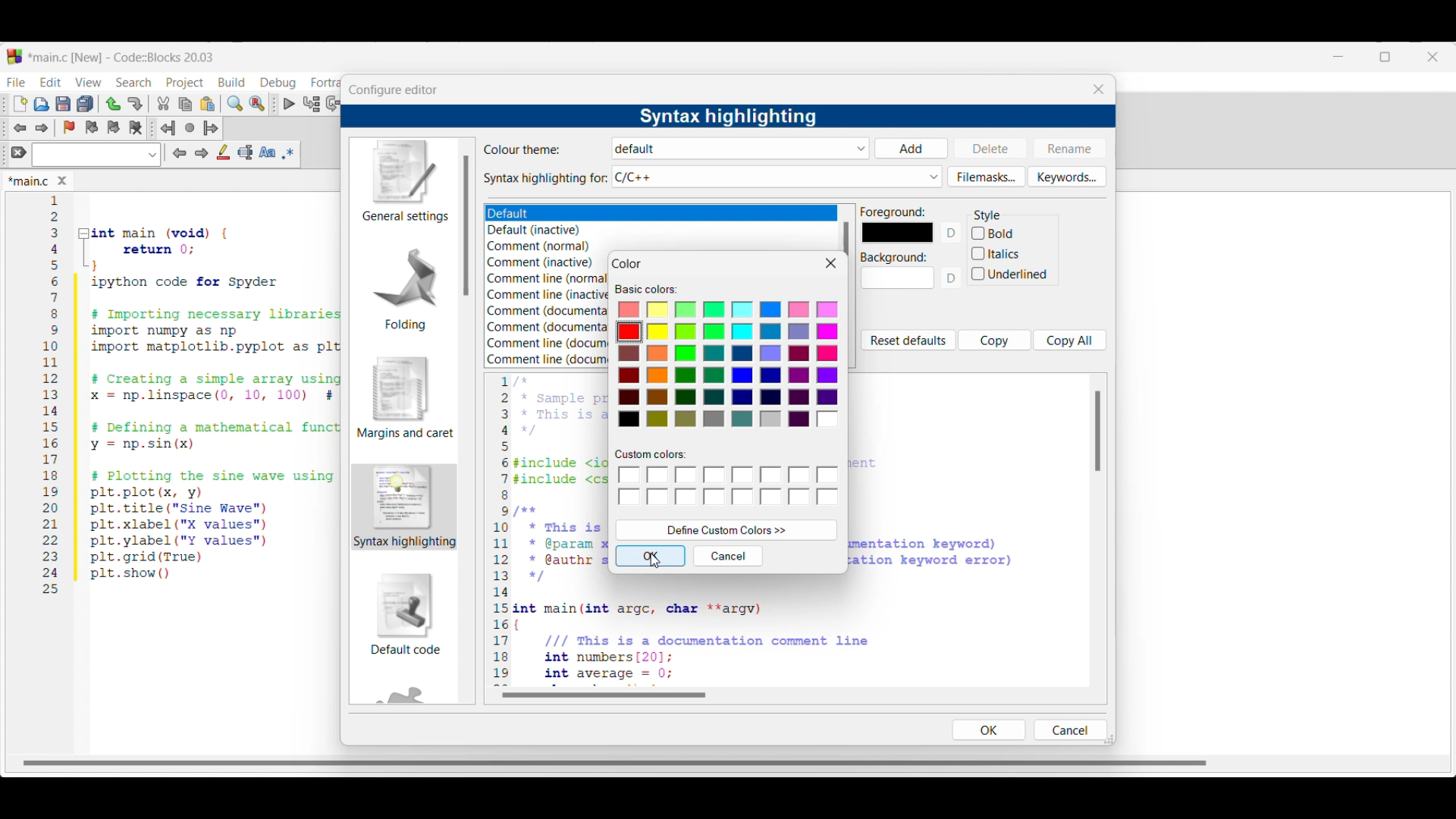 This screenshot has height=819, width=1456. I want to click on Redo, so click(135, 104).